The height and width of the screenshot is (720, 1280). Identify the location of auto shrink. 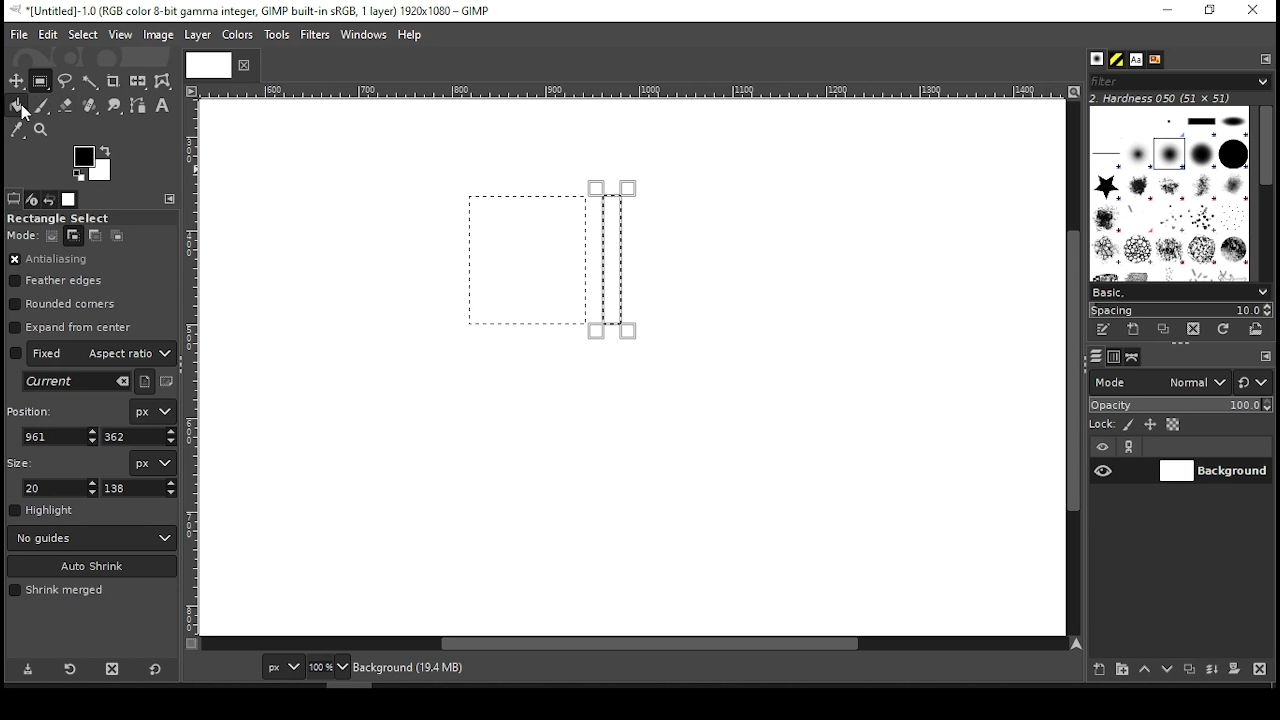
(93, 566).